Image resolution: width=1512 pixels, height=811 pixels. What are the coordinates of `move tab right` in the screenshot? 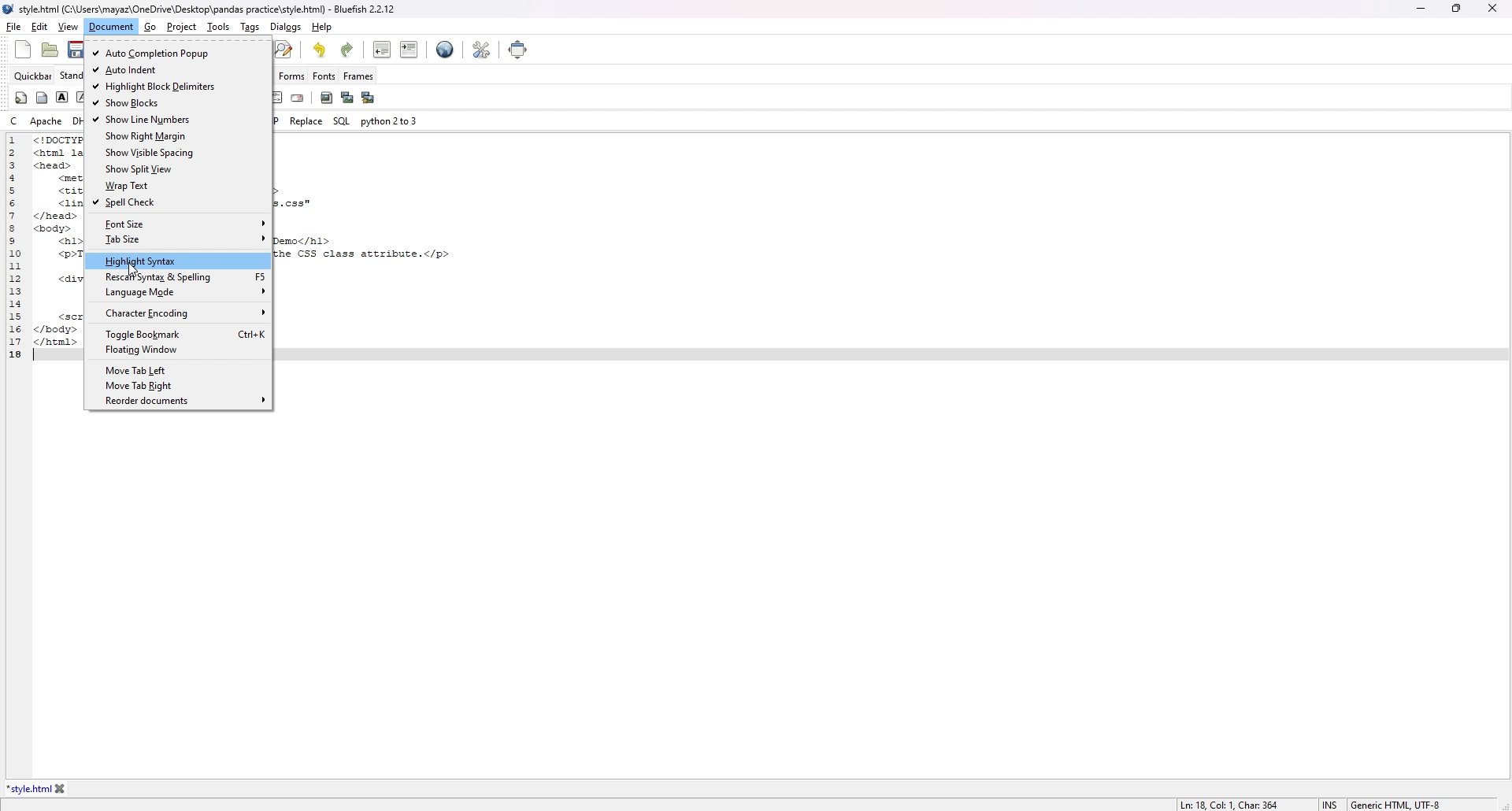 It's located at (177, 386).